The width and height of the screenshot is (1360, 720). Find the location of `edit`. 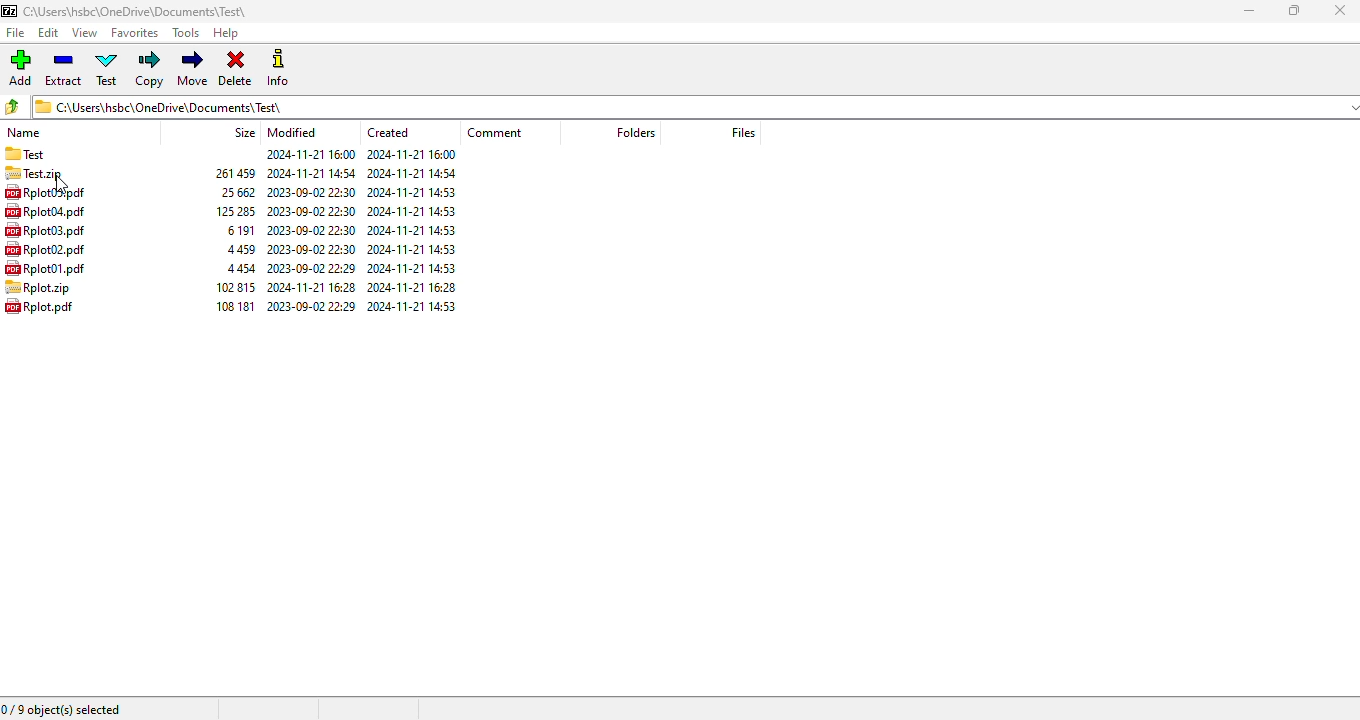

edit is located at coordinates (48, 32).